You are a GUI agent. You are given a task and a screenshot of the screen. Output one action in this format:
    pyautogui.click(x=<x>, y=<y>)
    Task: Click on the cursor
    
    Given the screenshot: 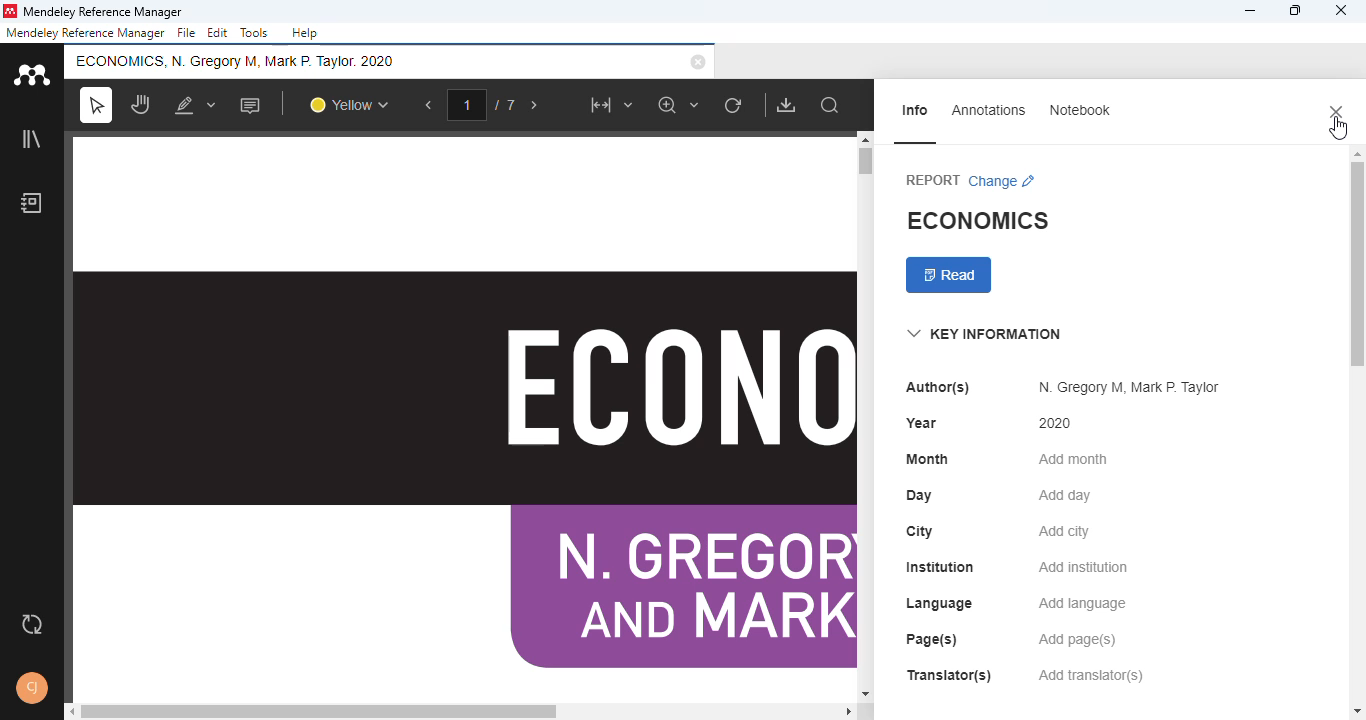 What is the action you would take?
    pyautogui.click(x=1338, y=129)
    